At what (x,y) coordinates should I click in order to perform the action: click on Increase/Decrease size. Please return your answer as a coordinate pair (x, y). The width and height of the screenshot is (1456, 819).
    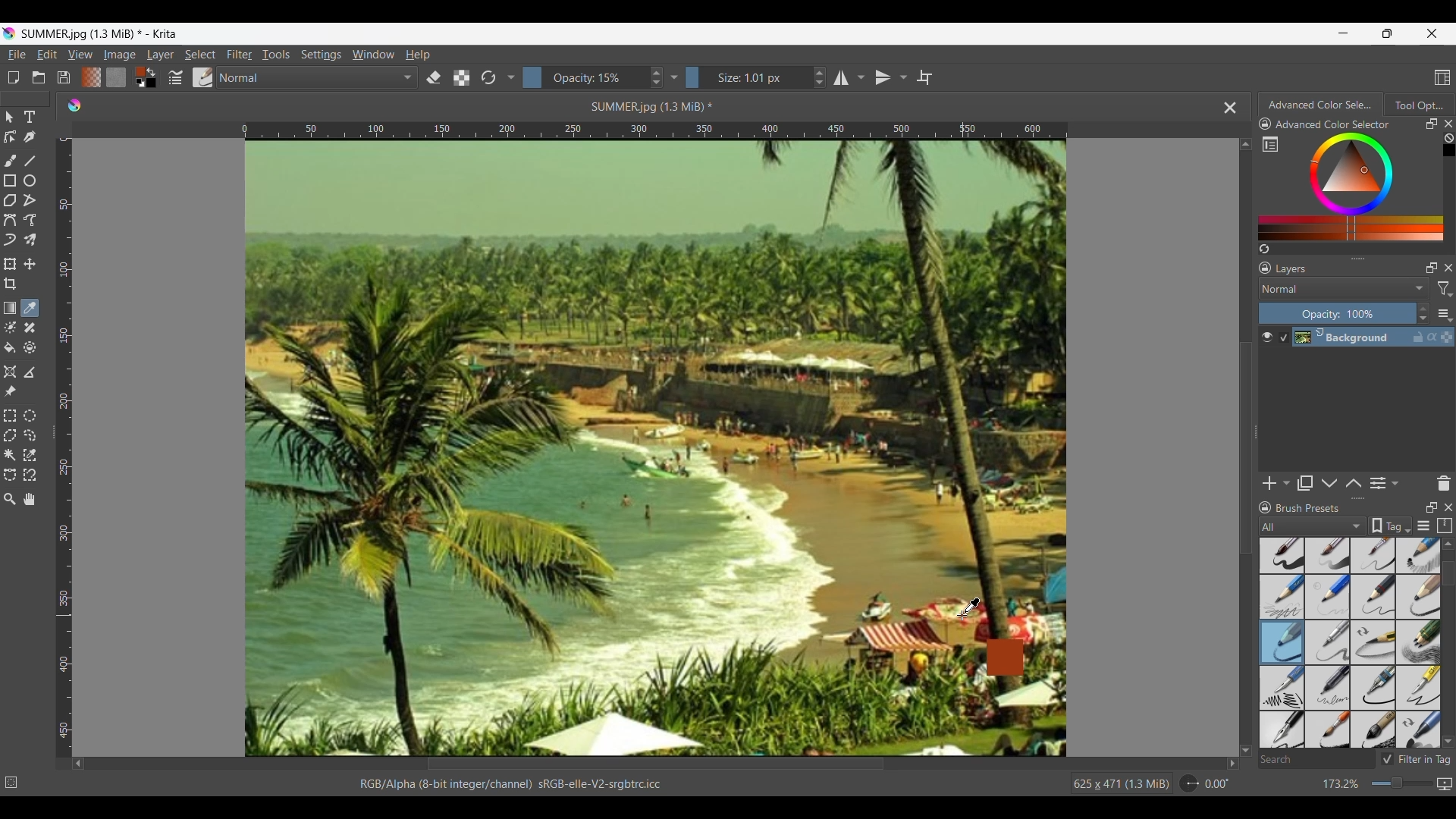
    Looking at the image, I should click on (820, 77).